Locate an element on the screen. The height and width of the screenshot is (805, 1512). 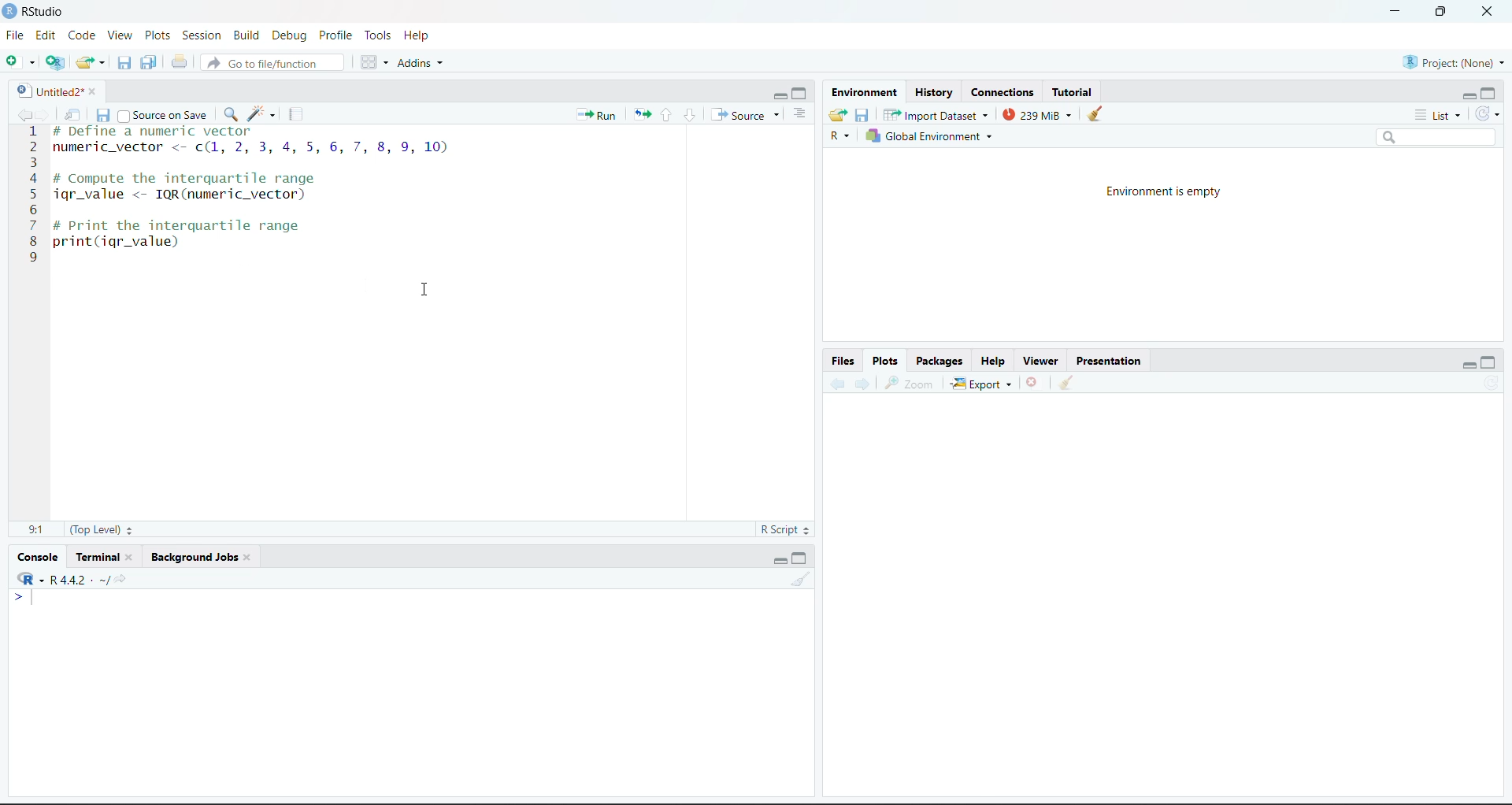
Save current document (Ctrl + S) is located at coordinates (124, 61).